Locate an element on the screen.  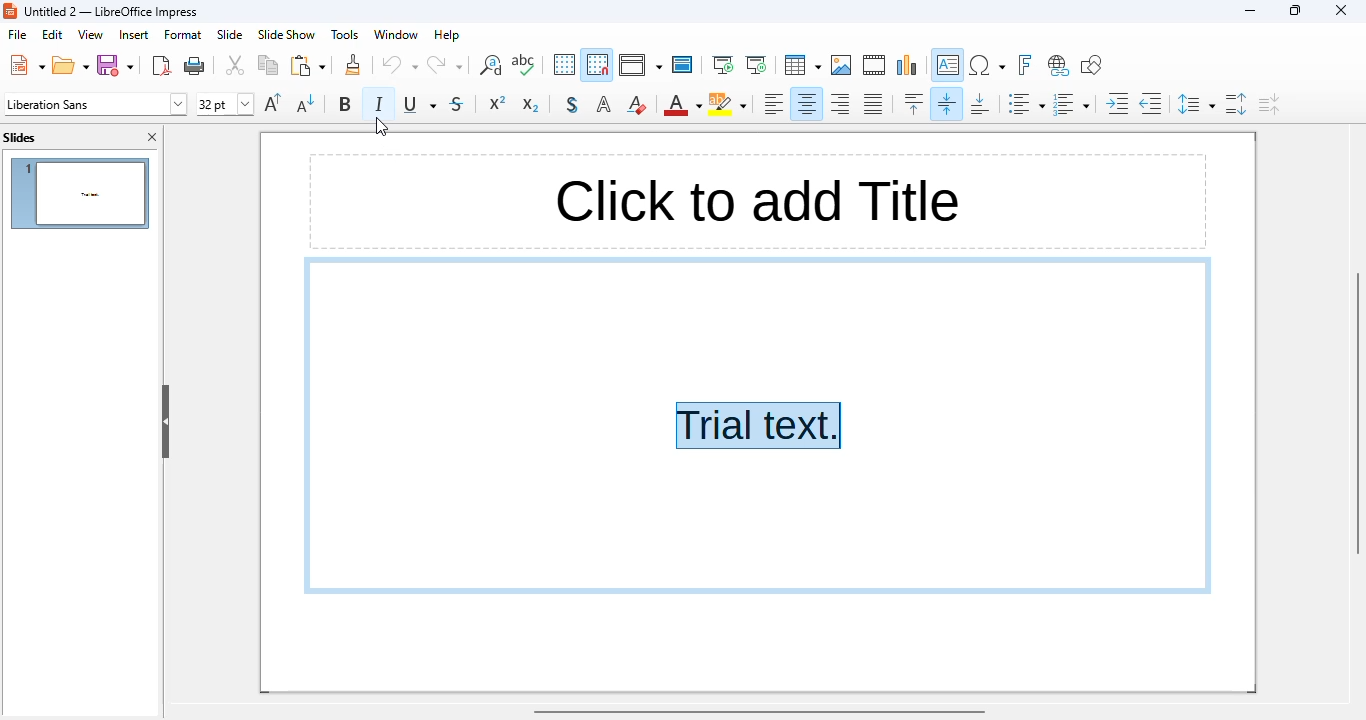
align top is located at coordinates (914, 103).